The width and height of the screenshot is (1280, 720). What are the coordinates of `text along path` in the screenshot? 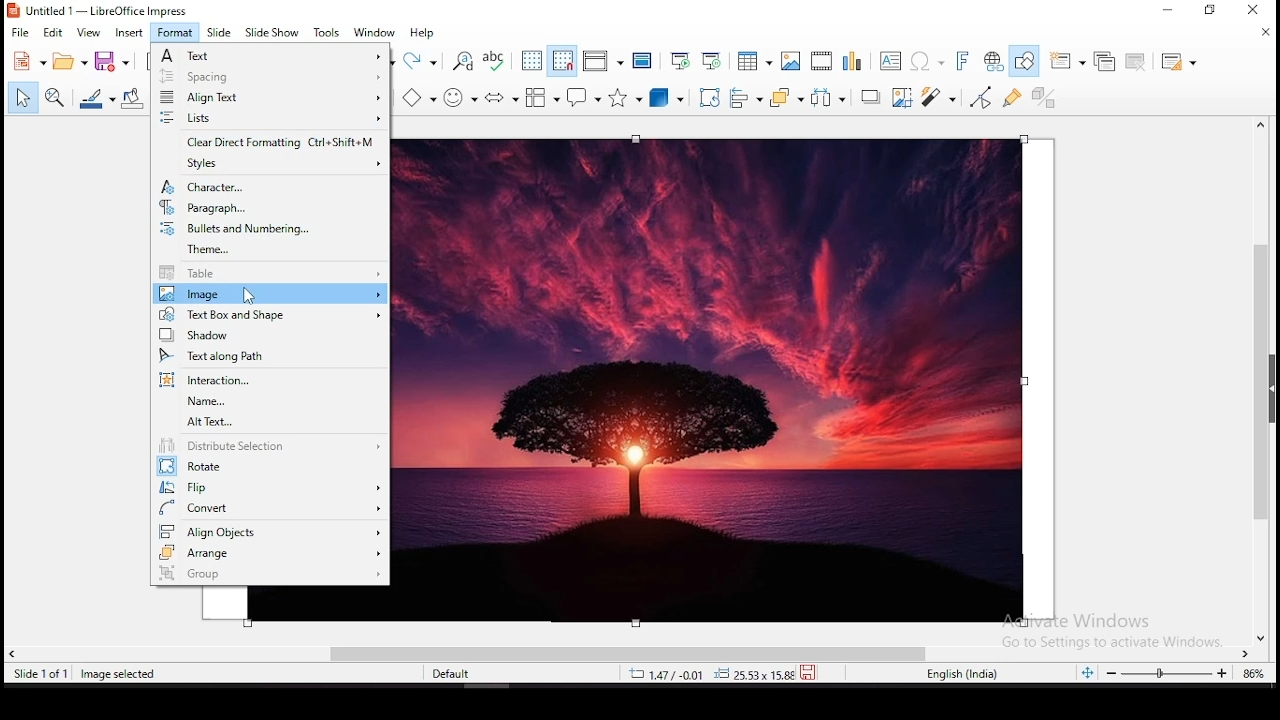 It's located at (268, 356).